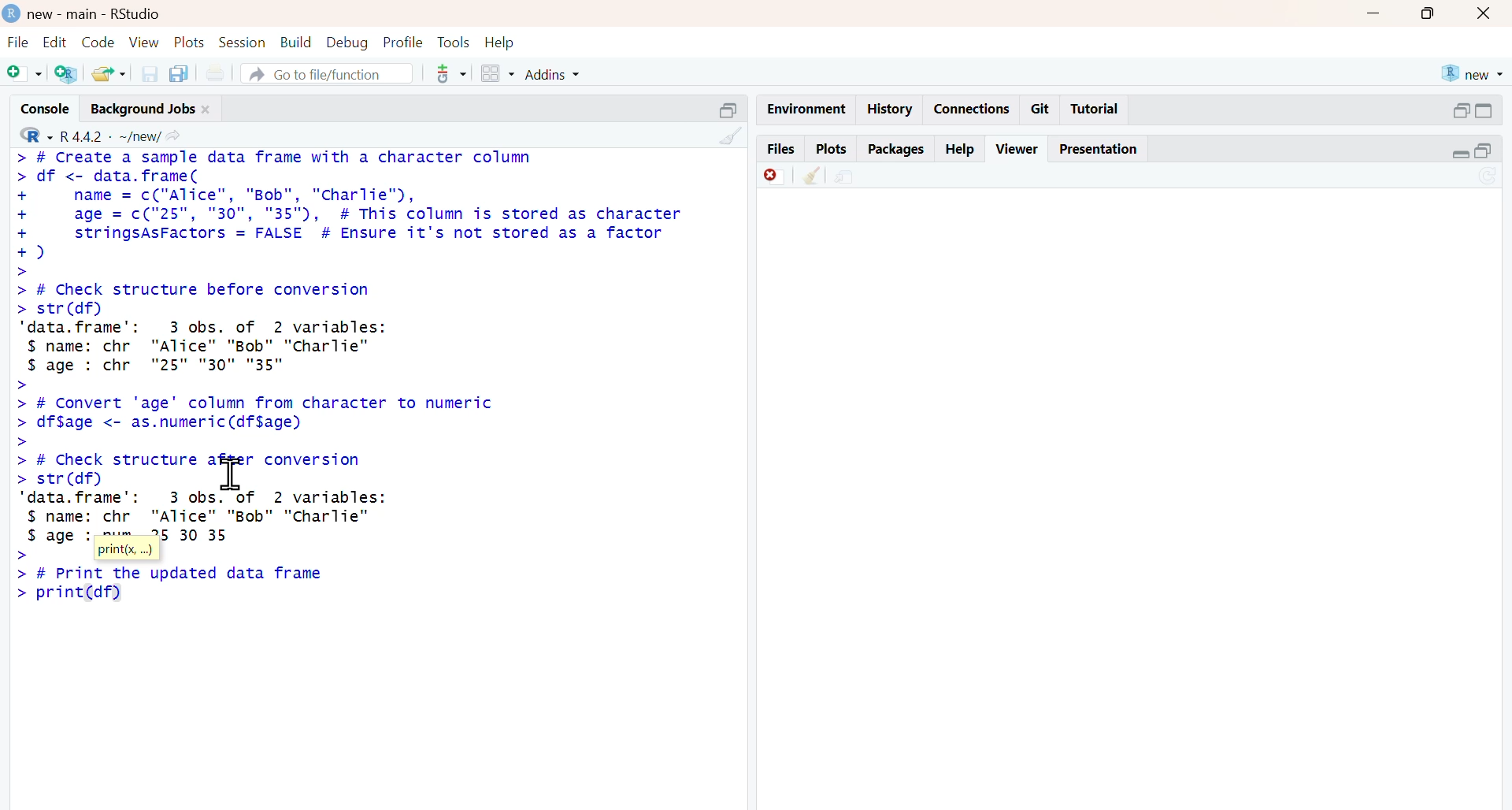 The width and height of the screenshot is (1512, 810). Describe the element at coordinates (178, 74) in the screenshot. I see `copy` at that location.